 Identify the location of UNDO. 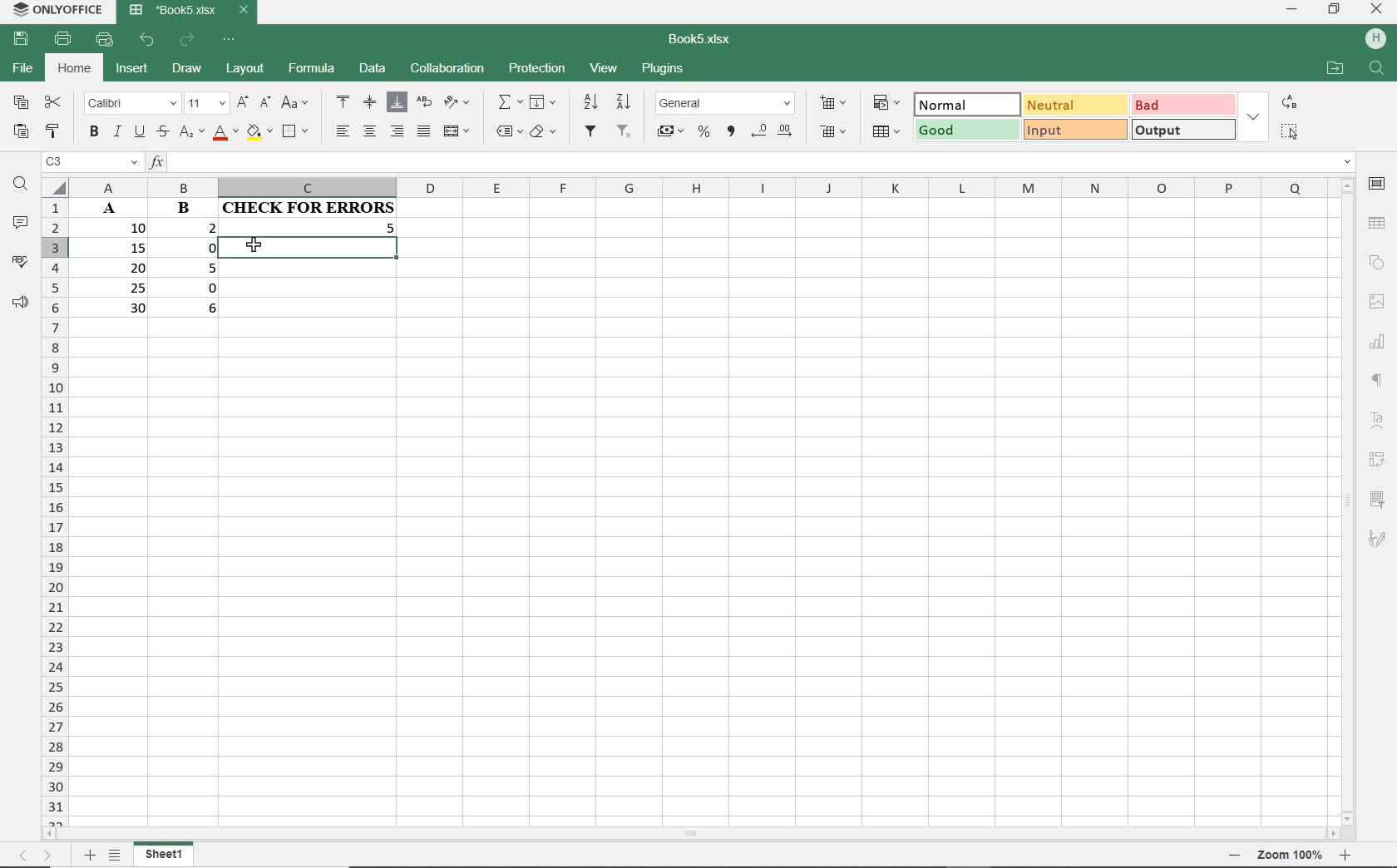
(147, 40).